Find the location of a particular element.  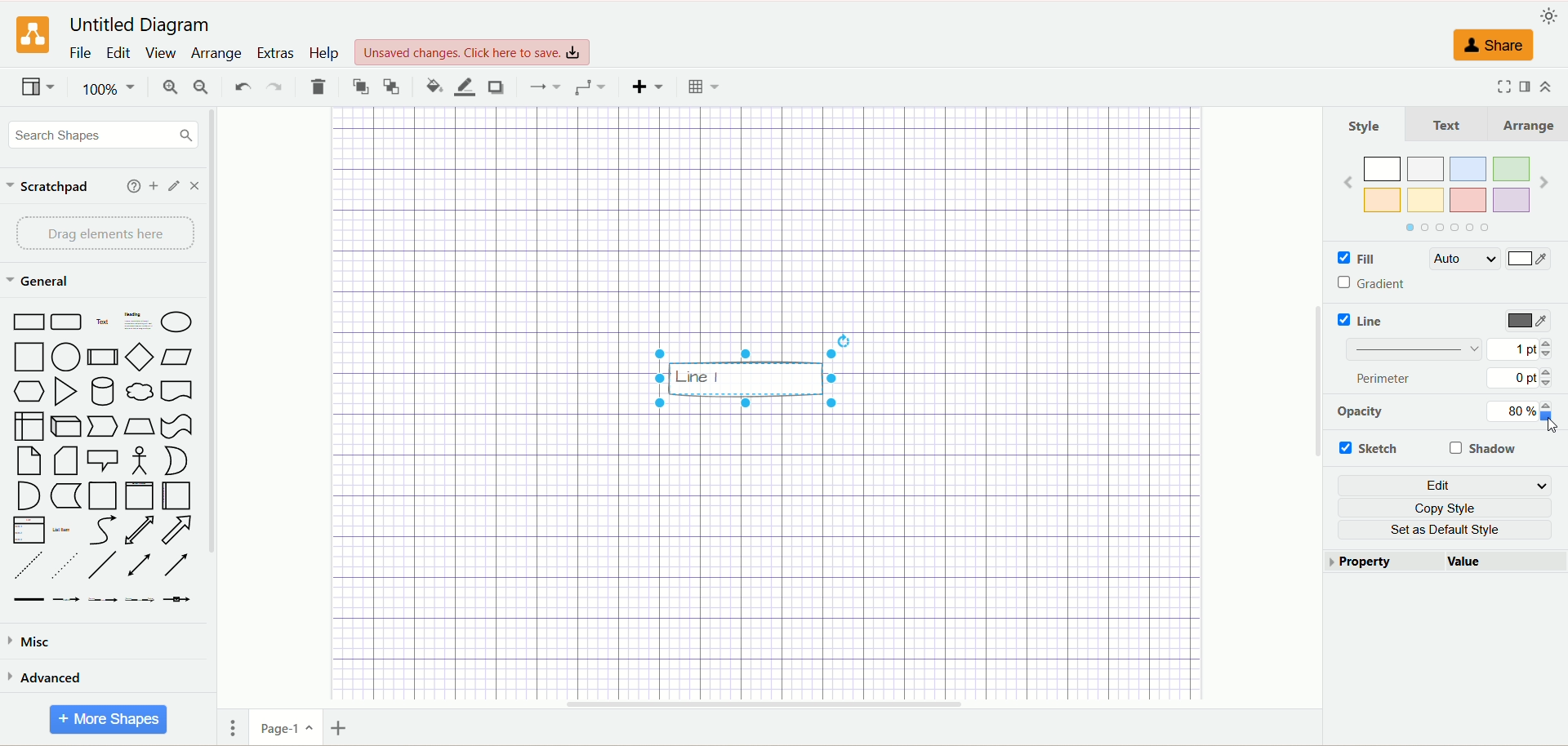

view is located at coordinates (37, 87).